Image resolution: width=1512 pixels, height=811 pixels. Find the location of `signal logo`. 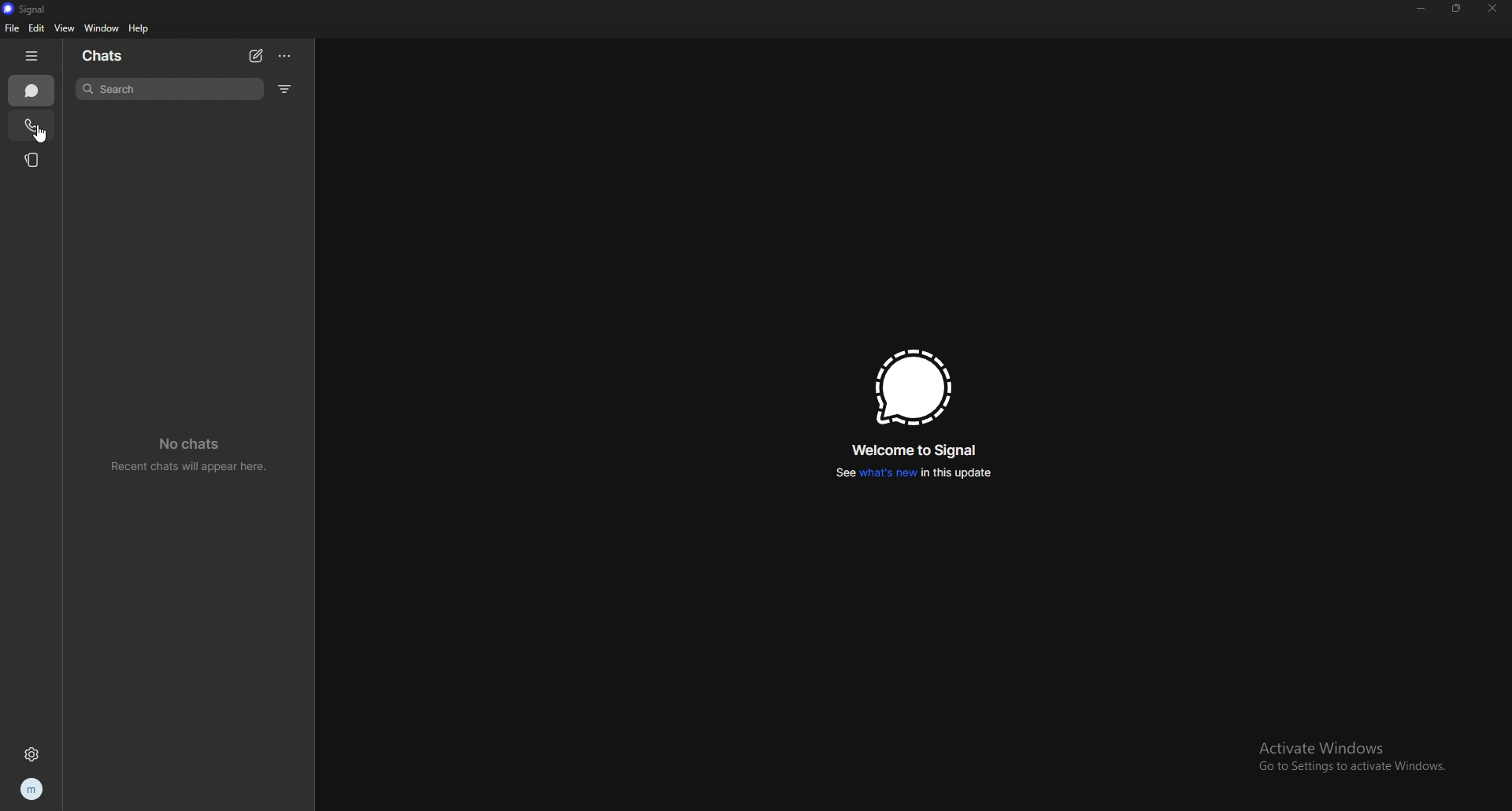

signal logo is located at coordinates (914, 387).